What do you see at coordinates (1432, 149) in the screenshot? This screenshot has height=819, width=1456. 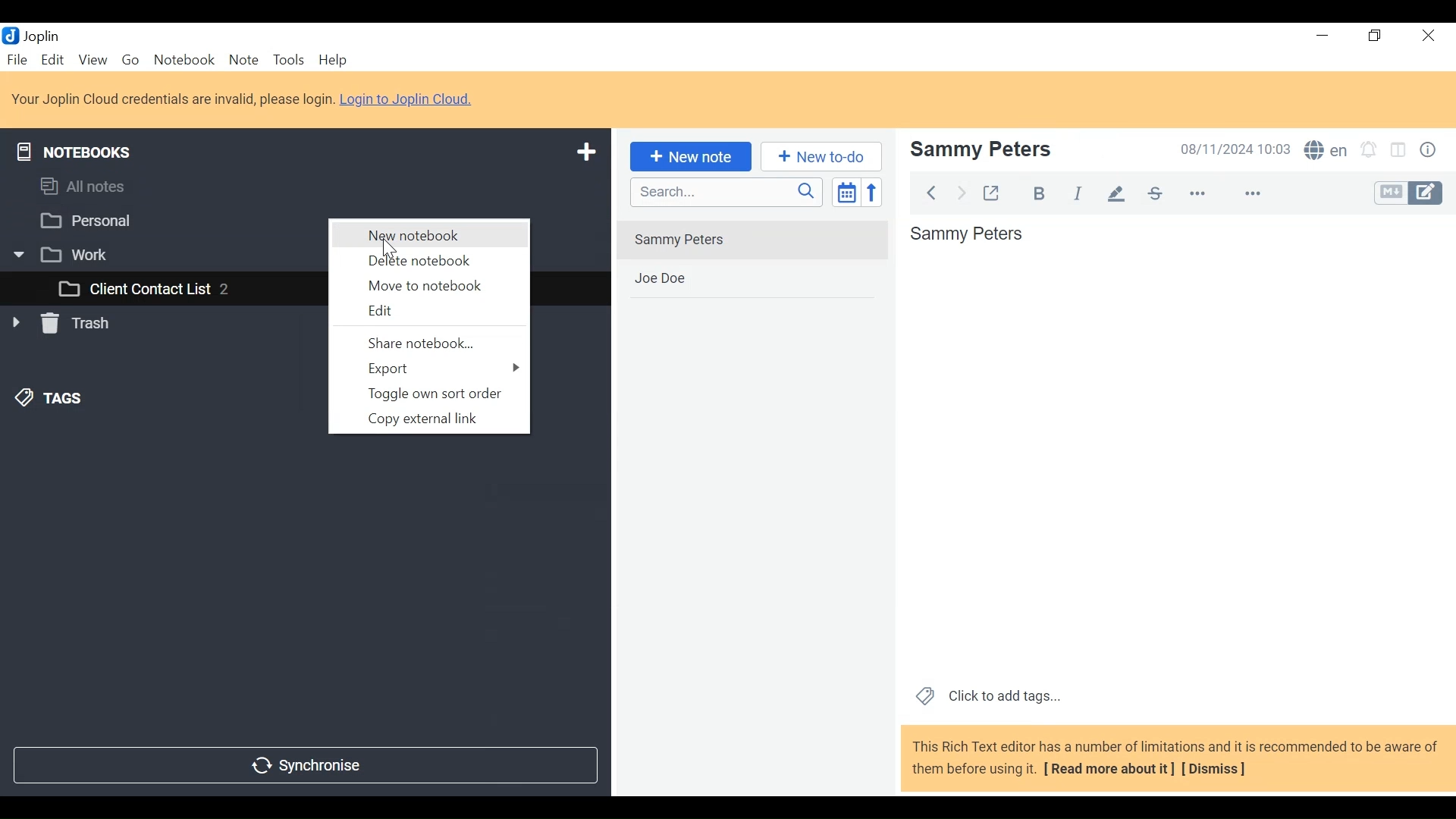 I see `` at bounding box center [1432, 149].